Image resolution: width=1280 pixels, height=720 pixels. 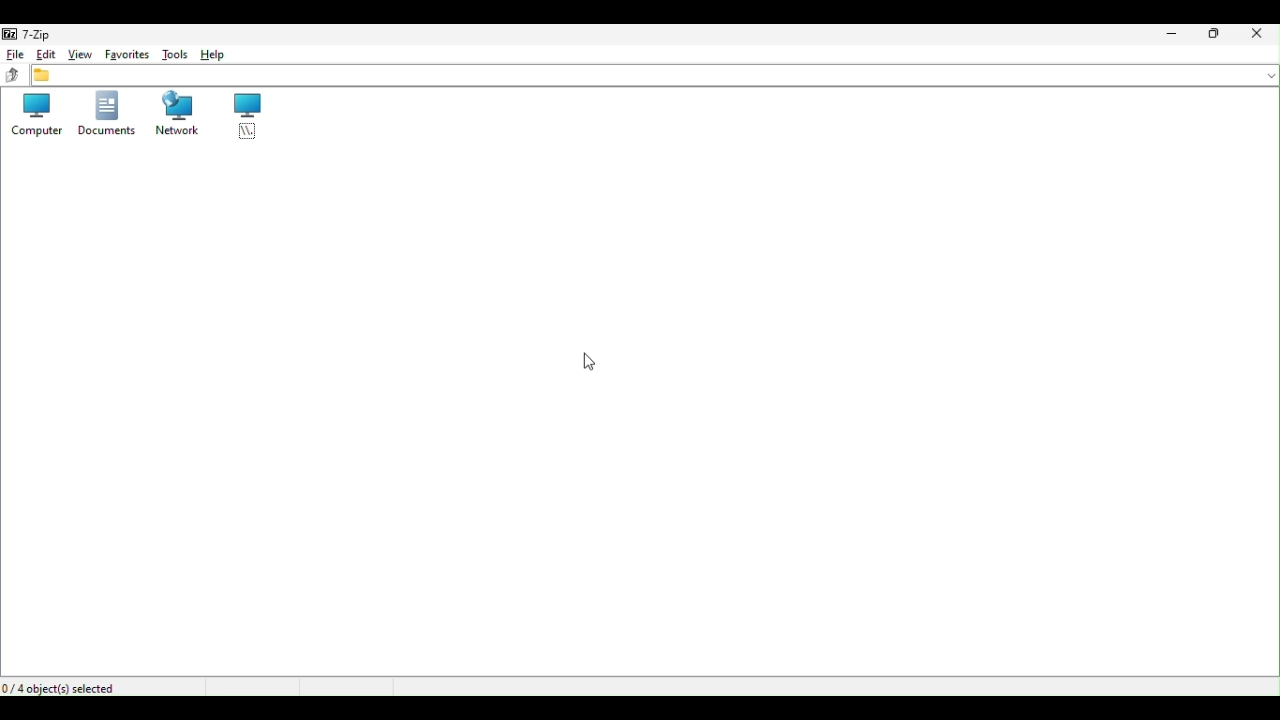 I want to click on View, so click(x=77, y=55).